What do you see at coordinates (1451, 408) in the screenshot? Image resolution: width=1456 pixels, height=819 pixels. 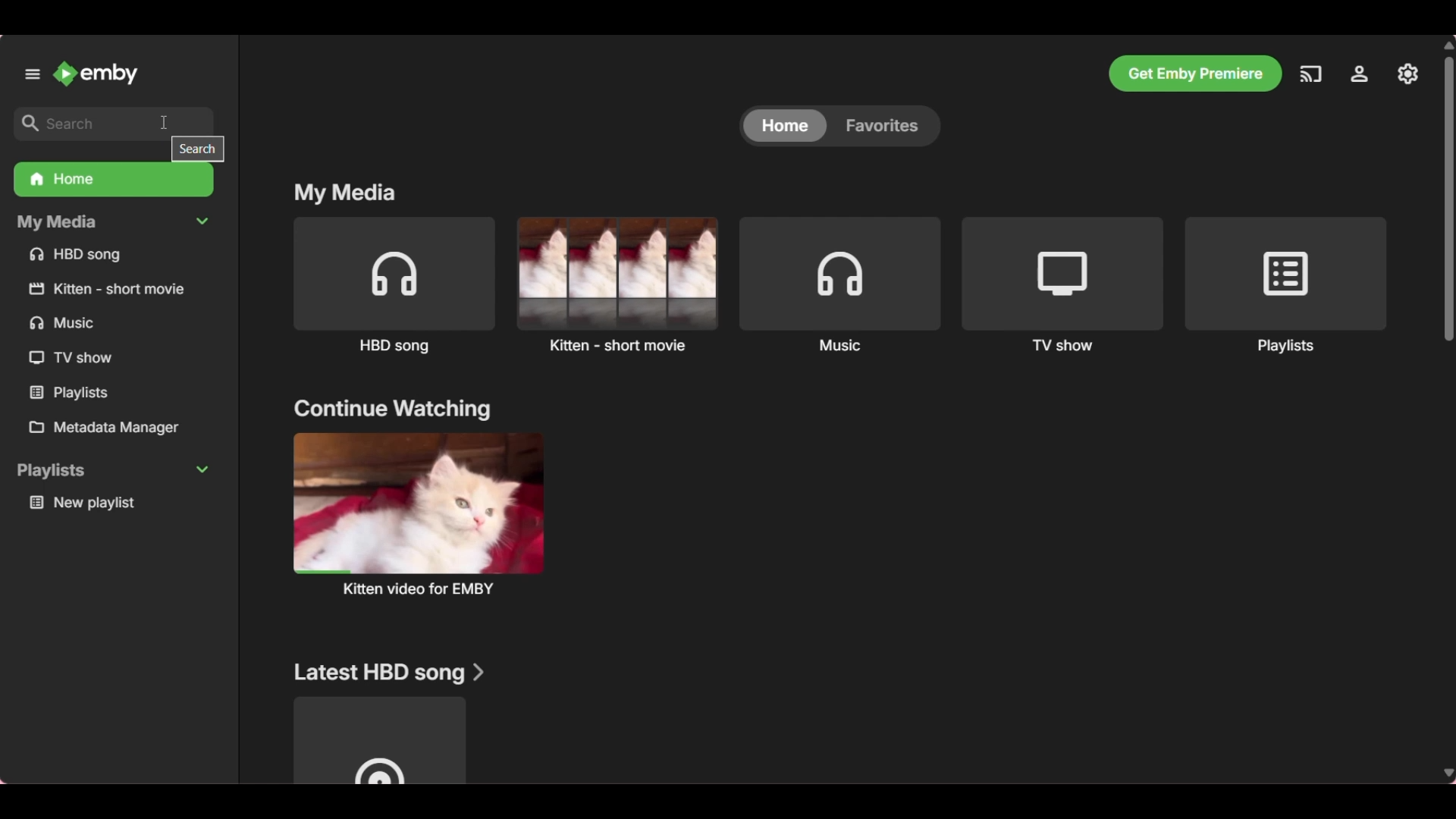 I see `Vertical slide bar` at bounding box center [1451, 408].